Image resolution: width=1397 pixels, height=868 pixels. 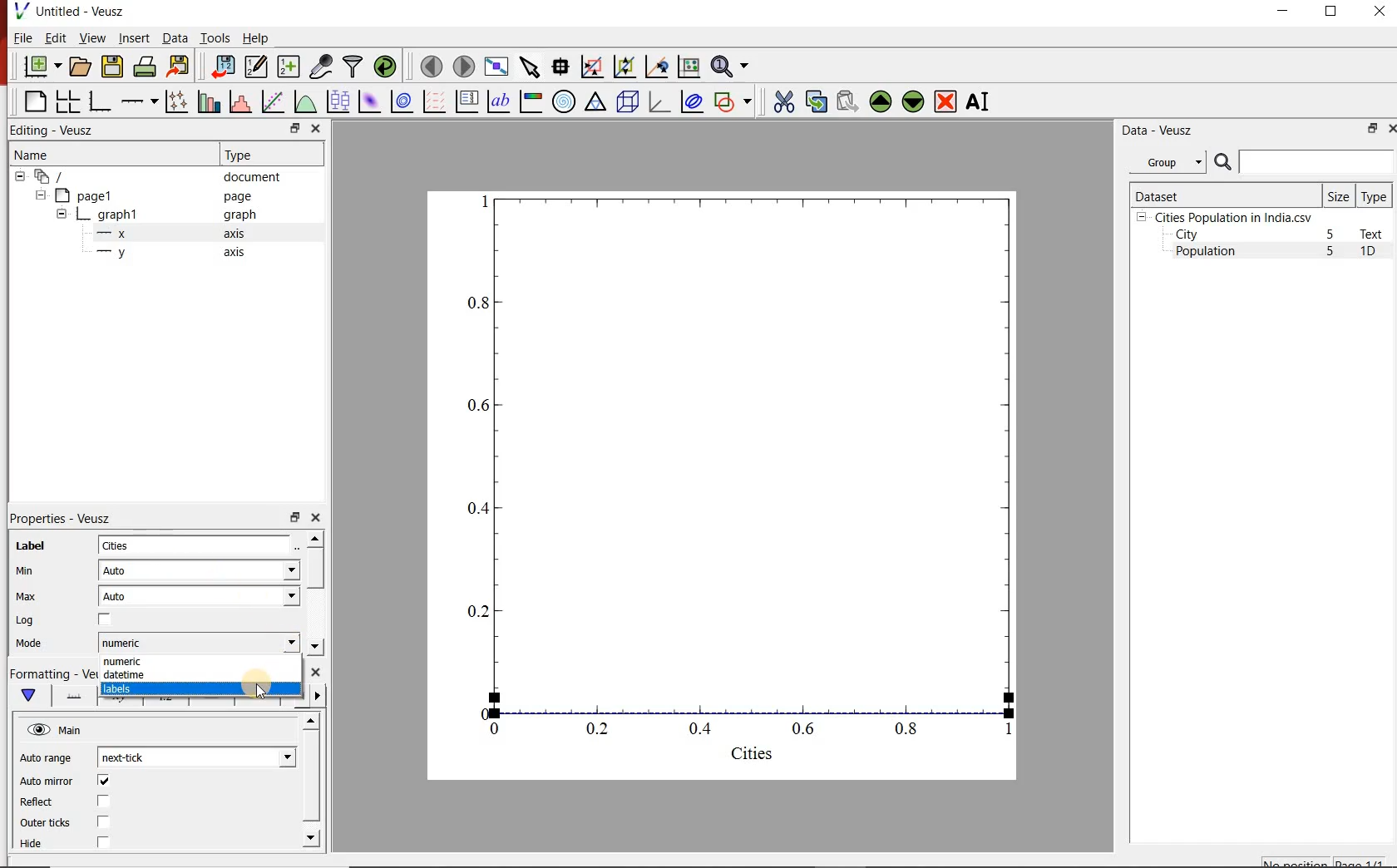 What do you see at coordinates (259, 687) in the screenshot?
I see `cursor` at bounding box center [259, 687].